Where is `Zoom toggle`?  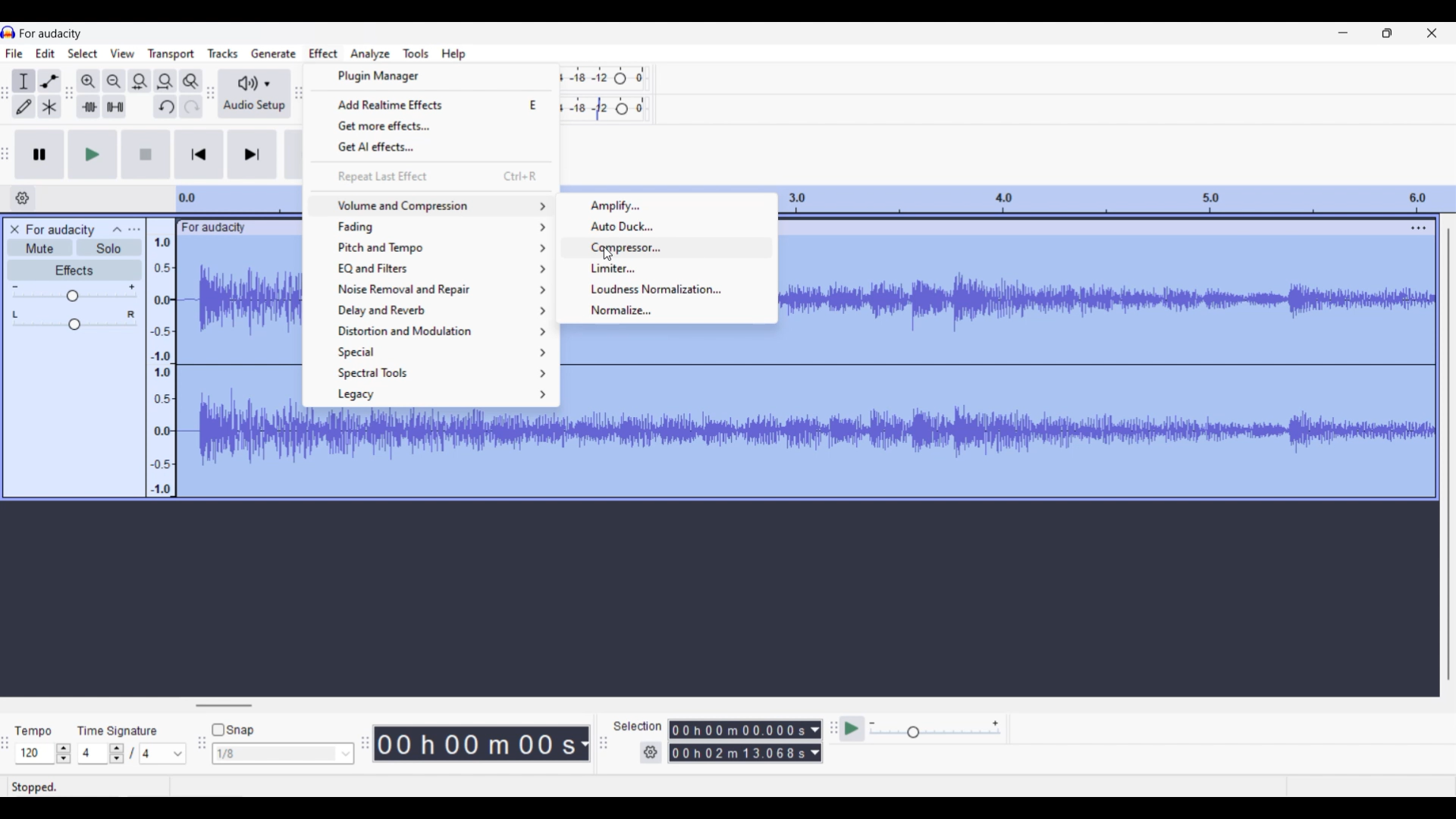 Zoom toggle is located at coordinates (190, 80).